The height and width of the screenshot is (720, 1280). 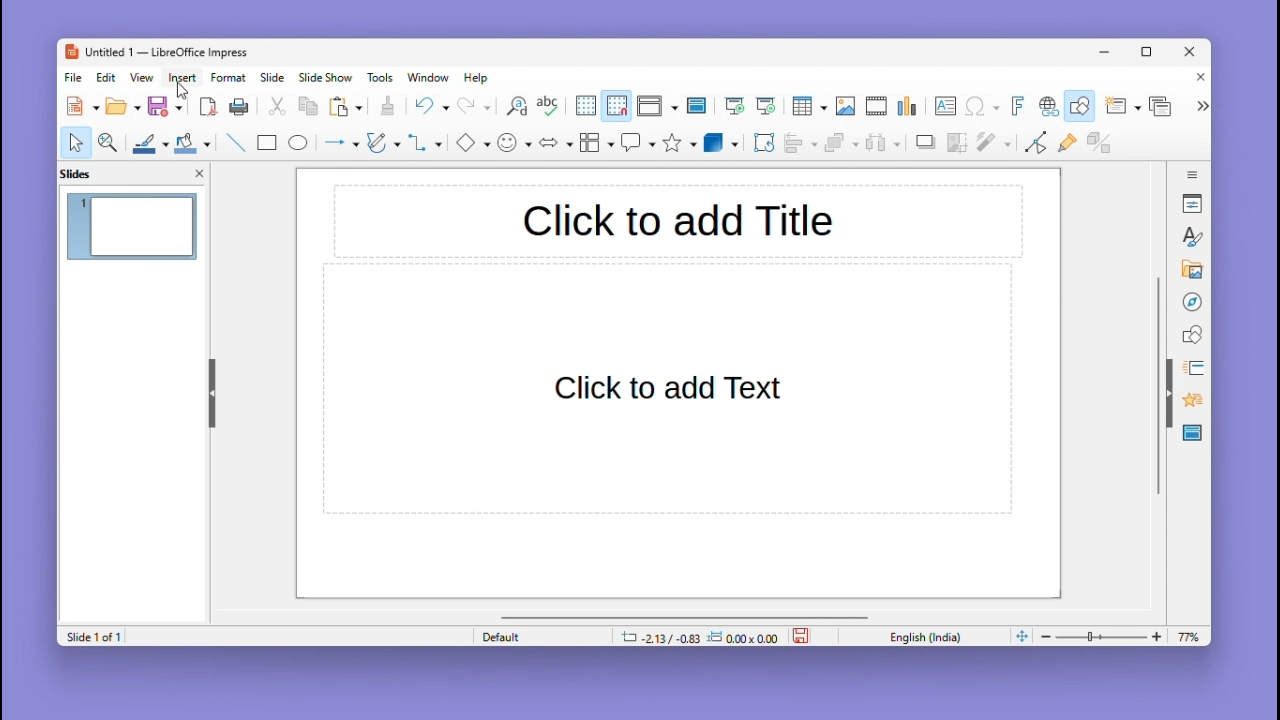 What do you see at coordinates (1189, 270) in the screenshot?
I see `Gallery` at bounding box center [1189, 270].